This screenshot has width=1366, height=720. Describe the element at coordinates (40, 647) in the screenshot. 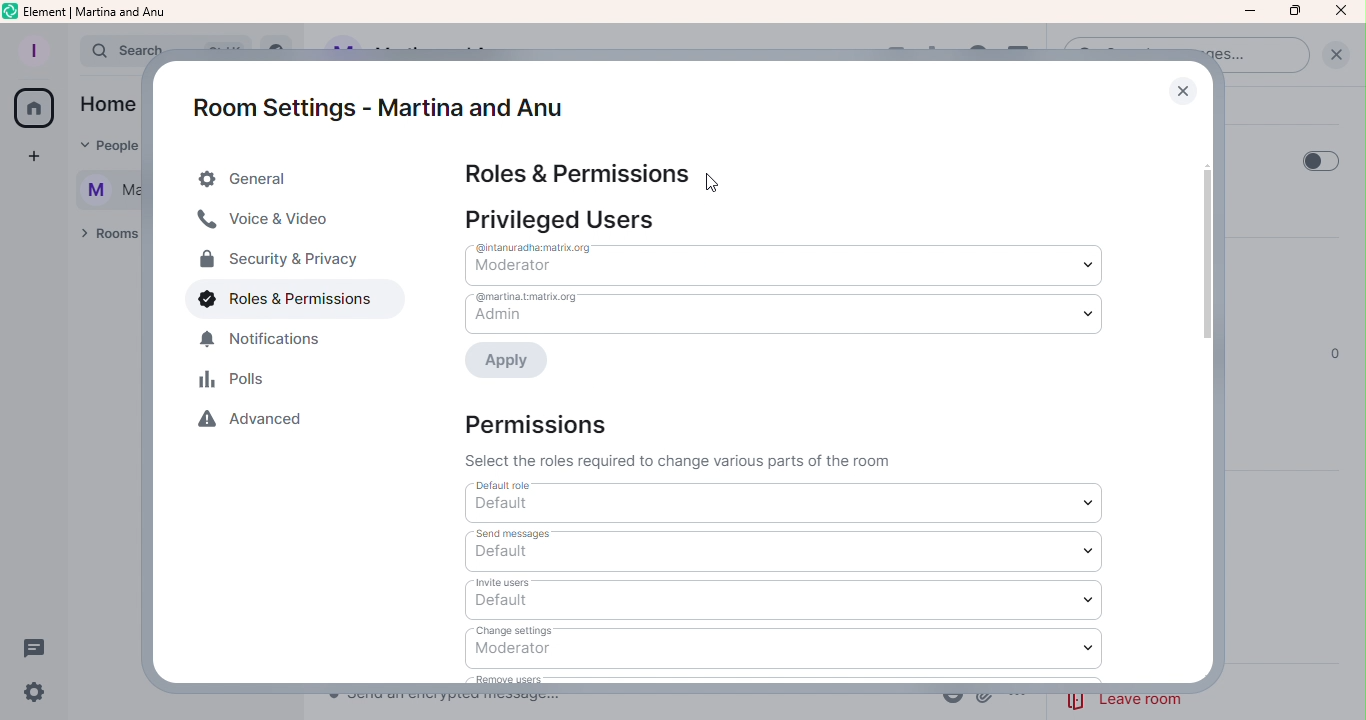

I see `Threads` at that location.